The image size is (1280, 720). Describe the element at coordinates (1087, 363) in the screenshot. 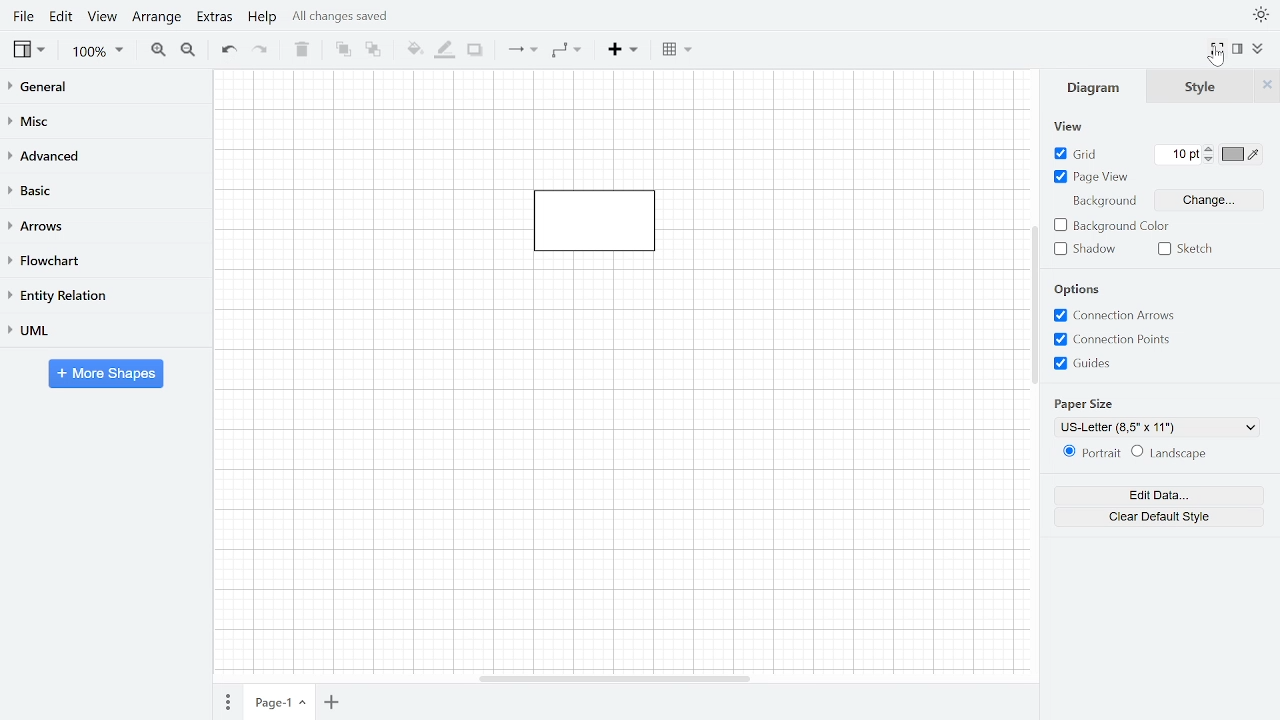

I see `Guides` at that location.